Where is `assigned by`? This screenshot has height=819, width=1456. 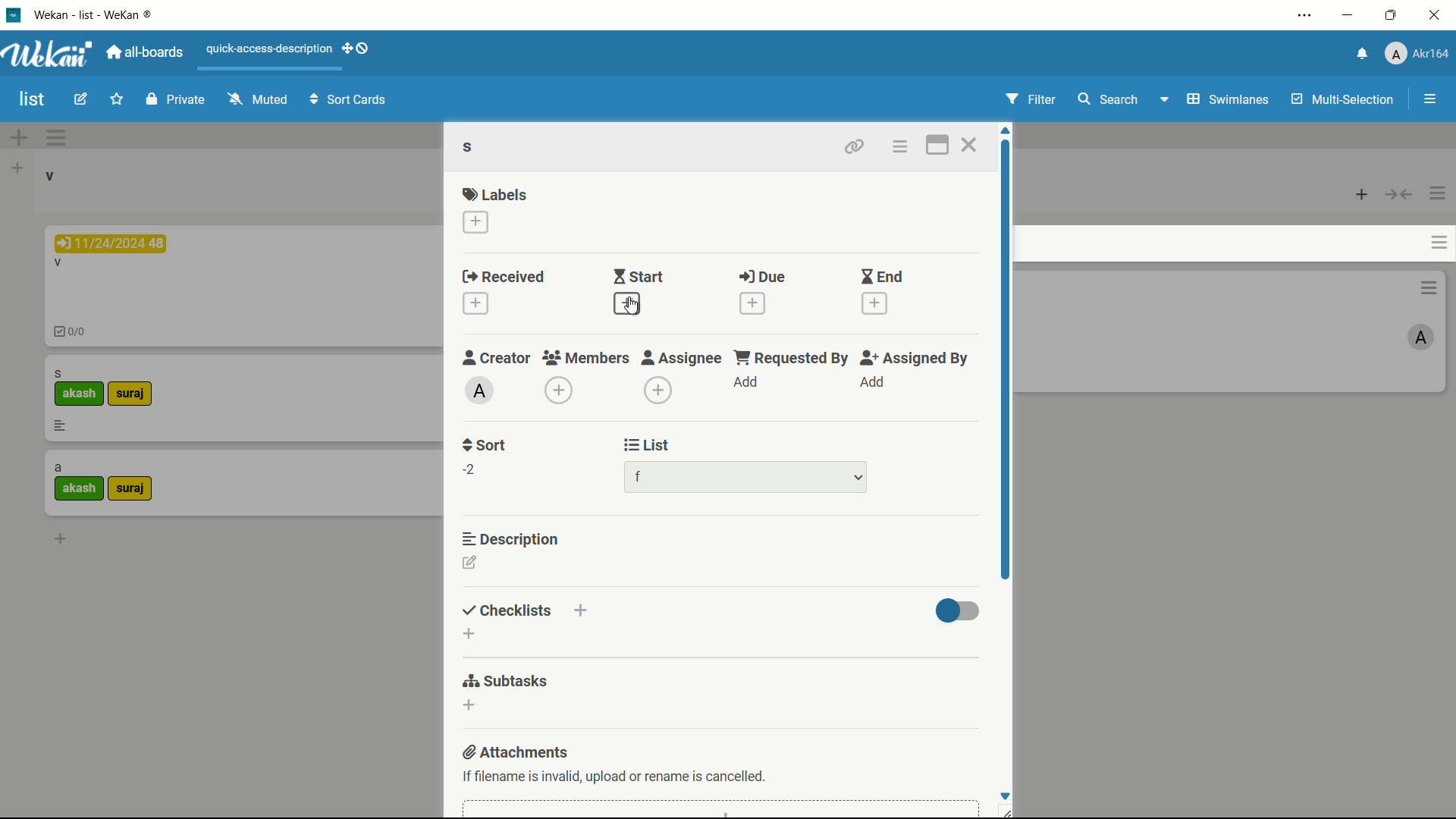
assigned by is located at coordinates (915, 358).